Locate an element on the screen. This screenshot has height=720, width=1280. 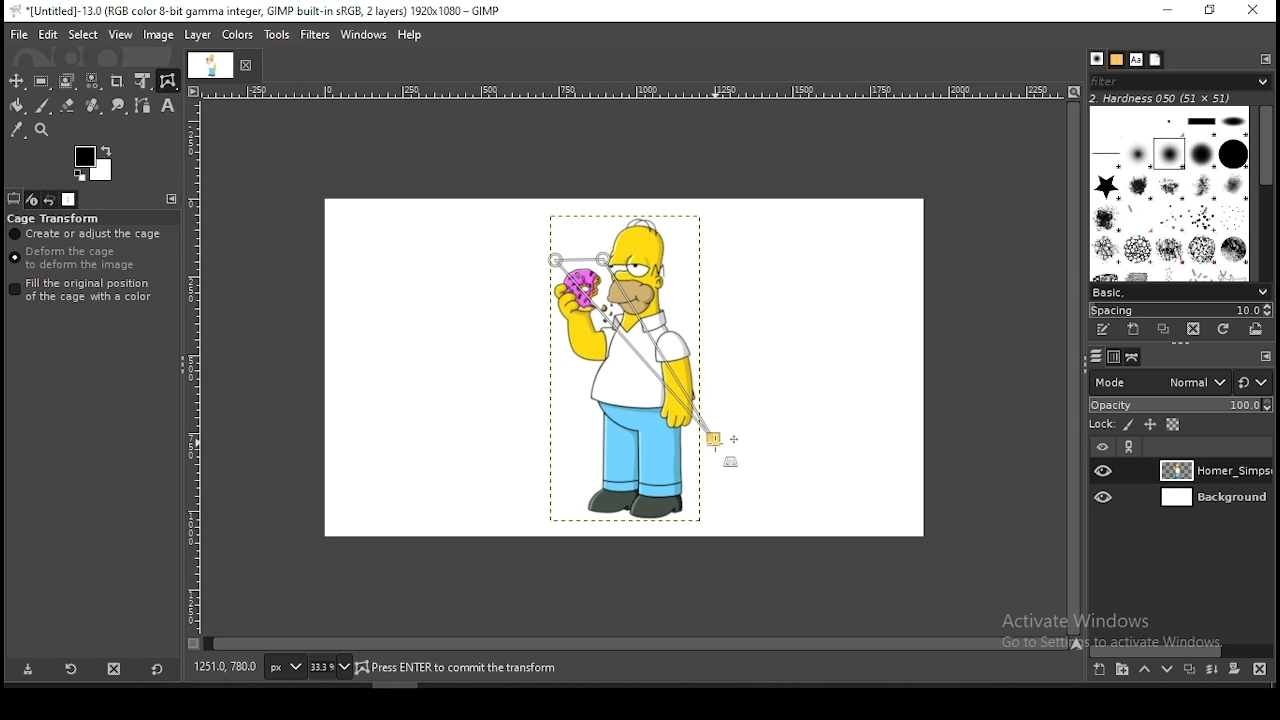
minimize is located at coordinates (1168, 11).